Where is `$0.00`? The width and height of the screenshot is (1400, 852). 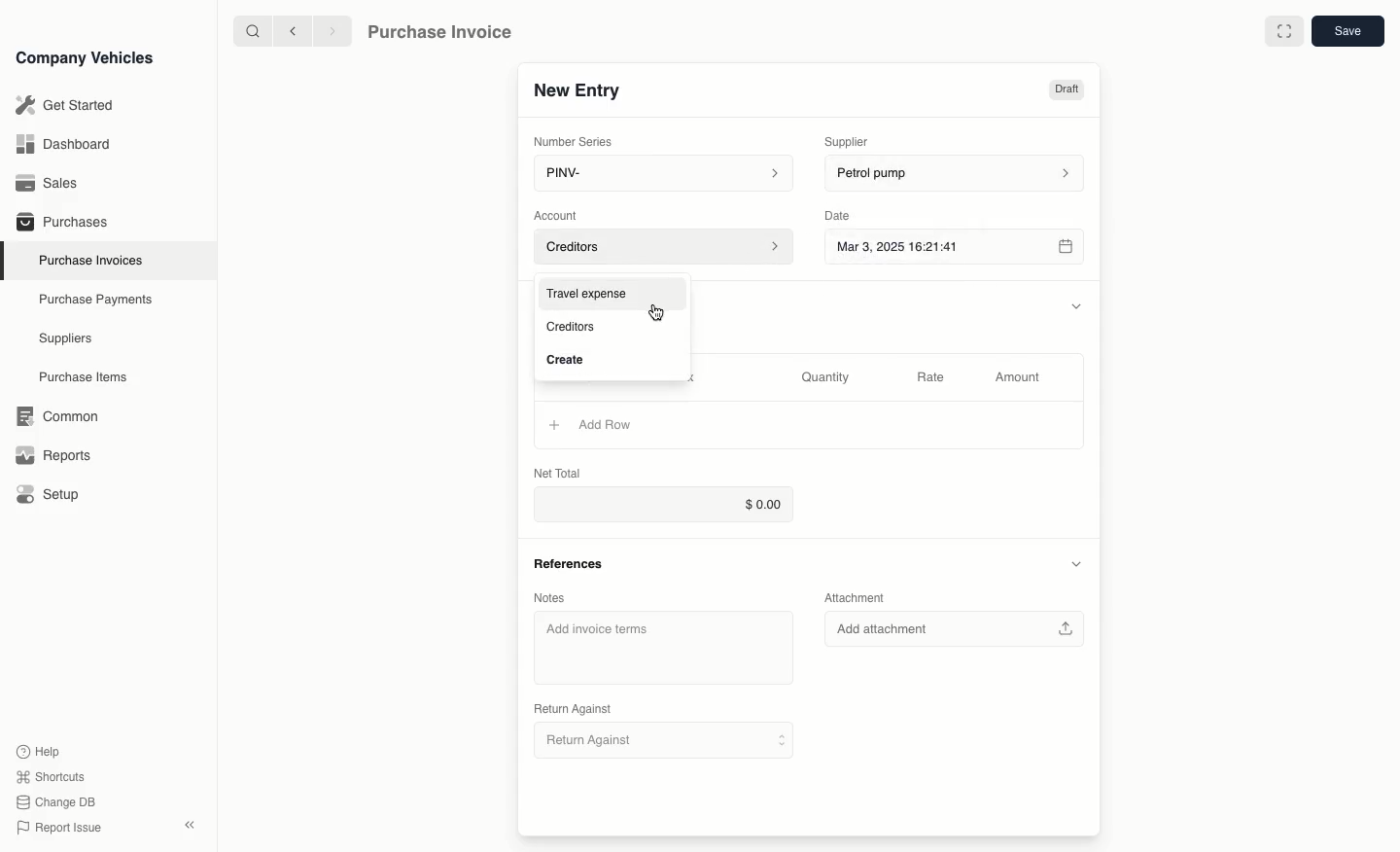 $0.00 is located at coordinates (663, 504).